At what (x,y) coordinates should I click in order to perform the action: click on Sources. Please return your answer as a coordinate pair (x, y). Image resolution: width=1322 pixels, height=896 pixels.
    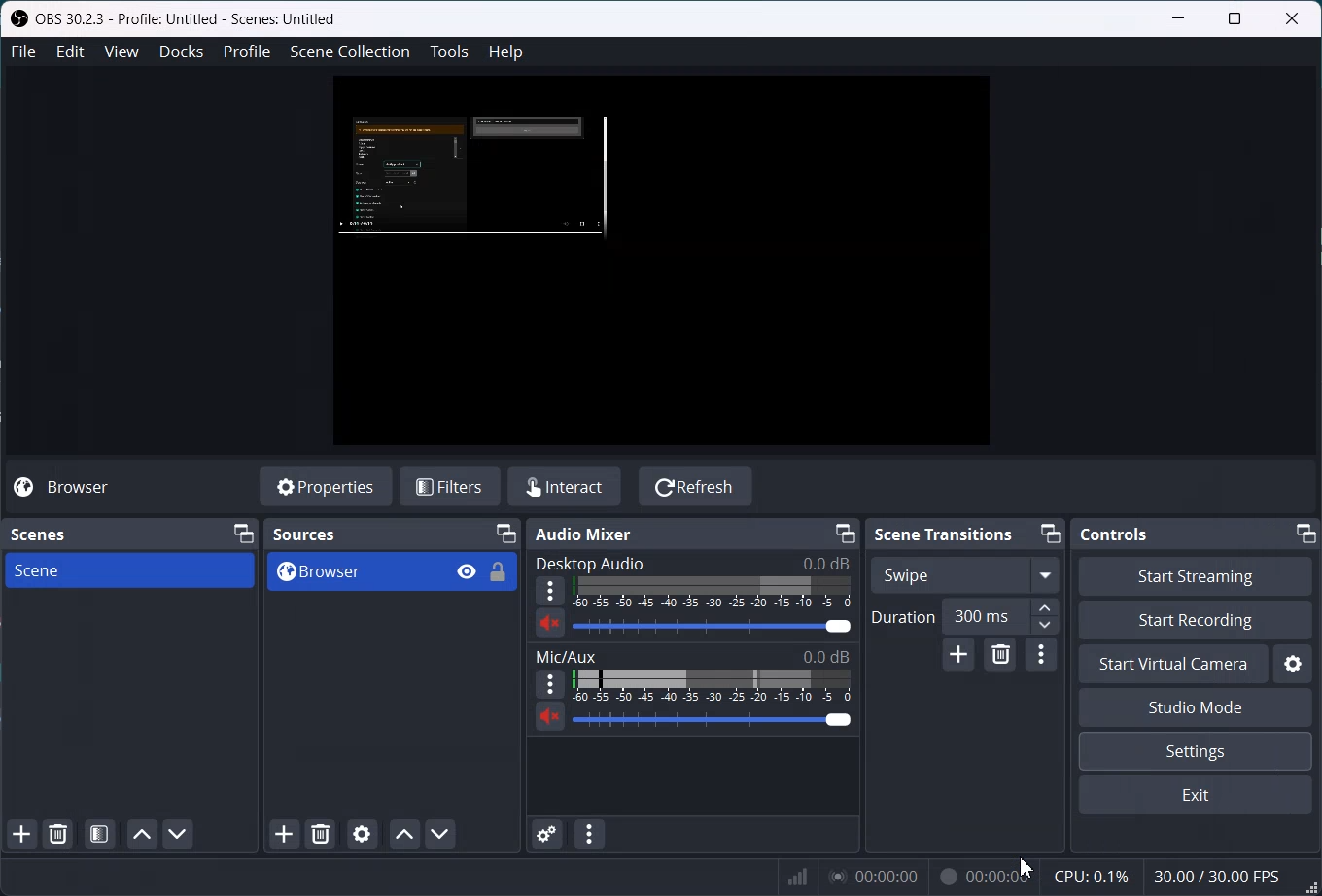
    Looking at the image, I should click on (303, 535).